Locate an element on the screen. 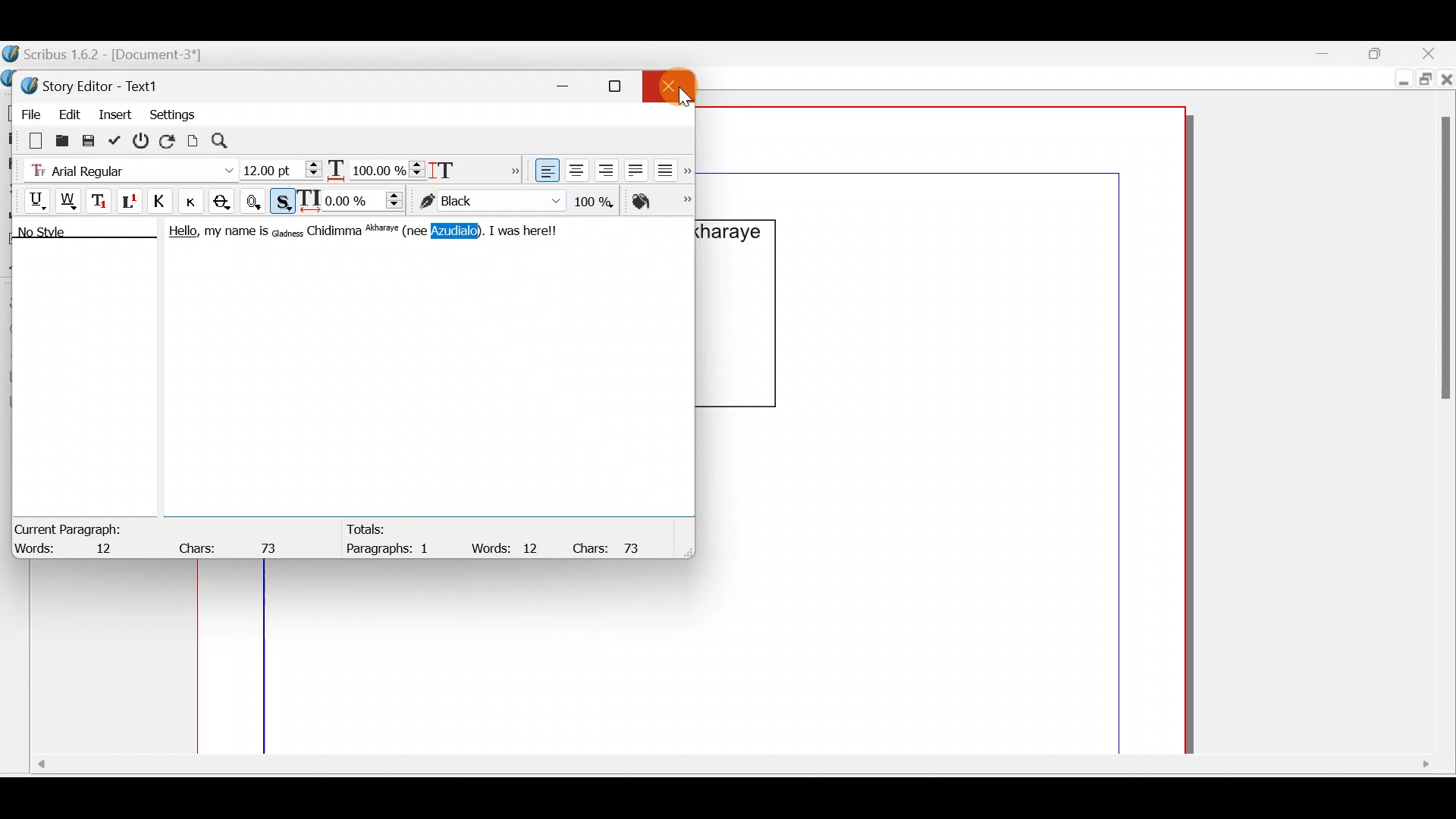 The image size is (1456, 819). Superscript is located at coordinates (131, 203).